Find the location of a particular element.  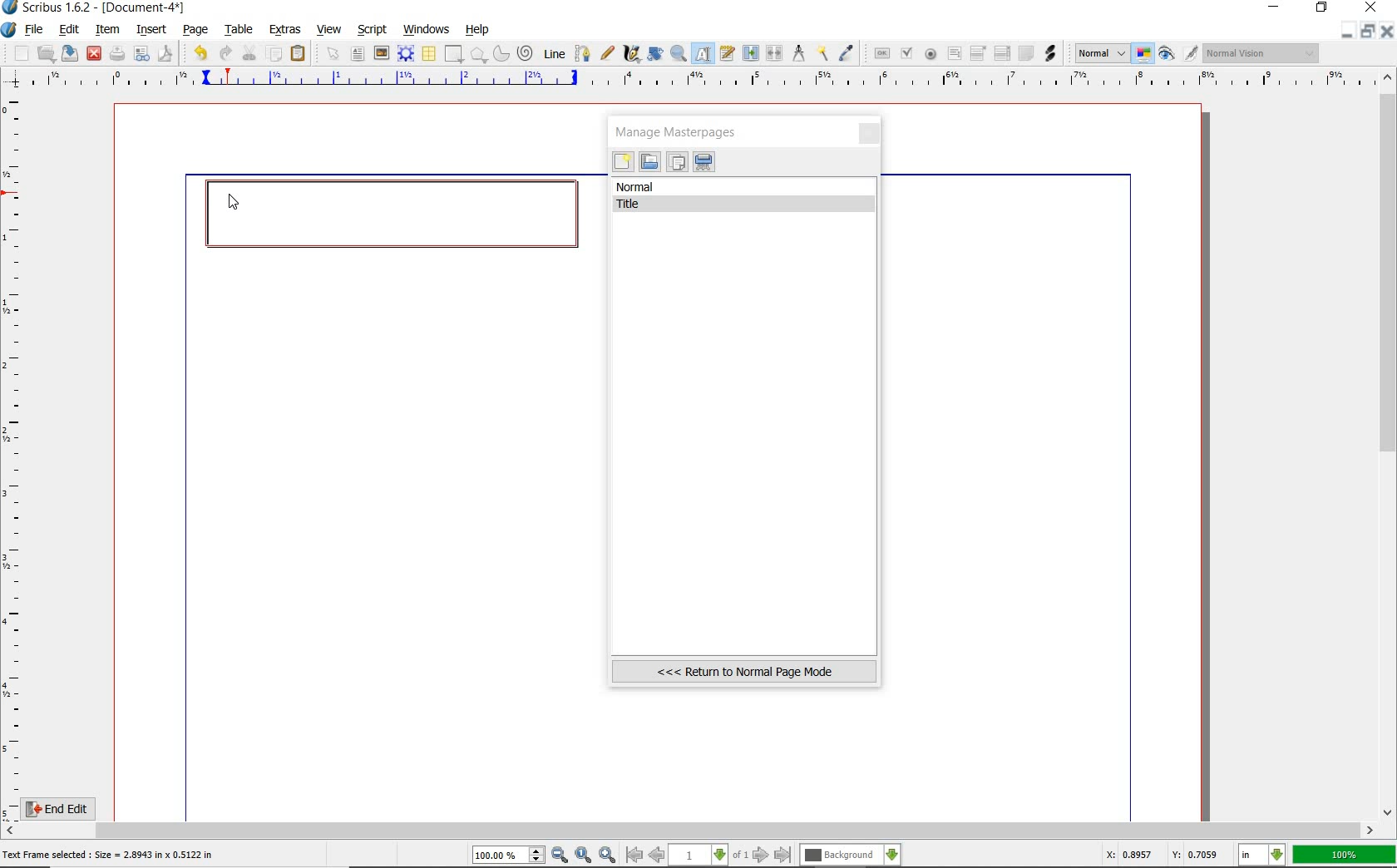

edit text with story editor is located at coordinates (728, 55).